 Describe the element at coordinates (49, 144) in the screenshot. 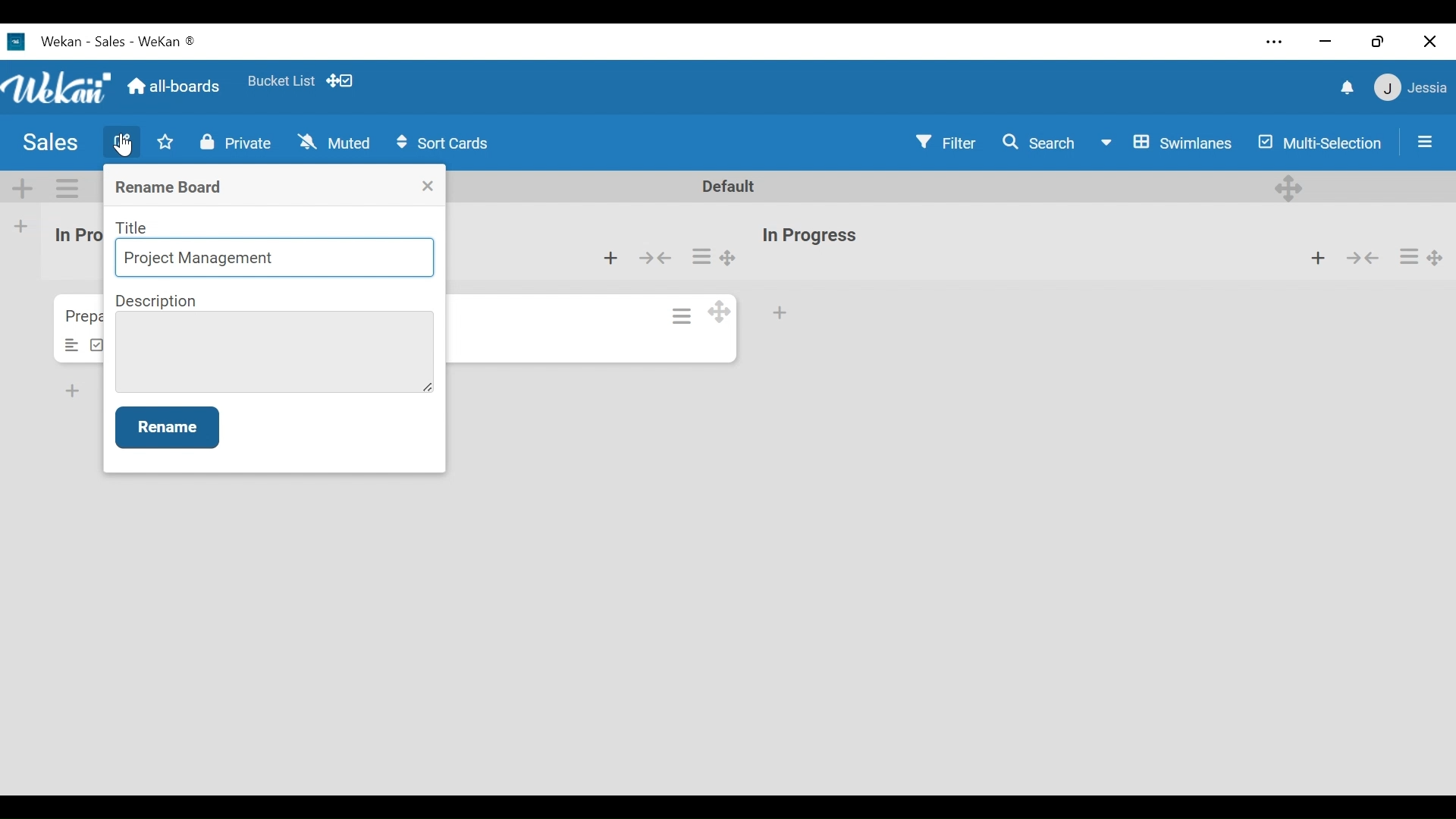

I see `Board Title` at that location.